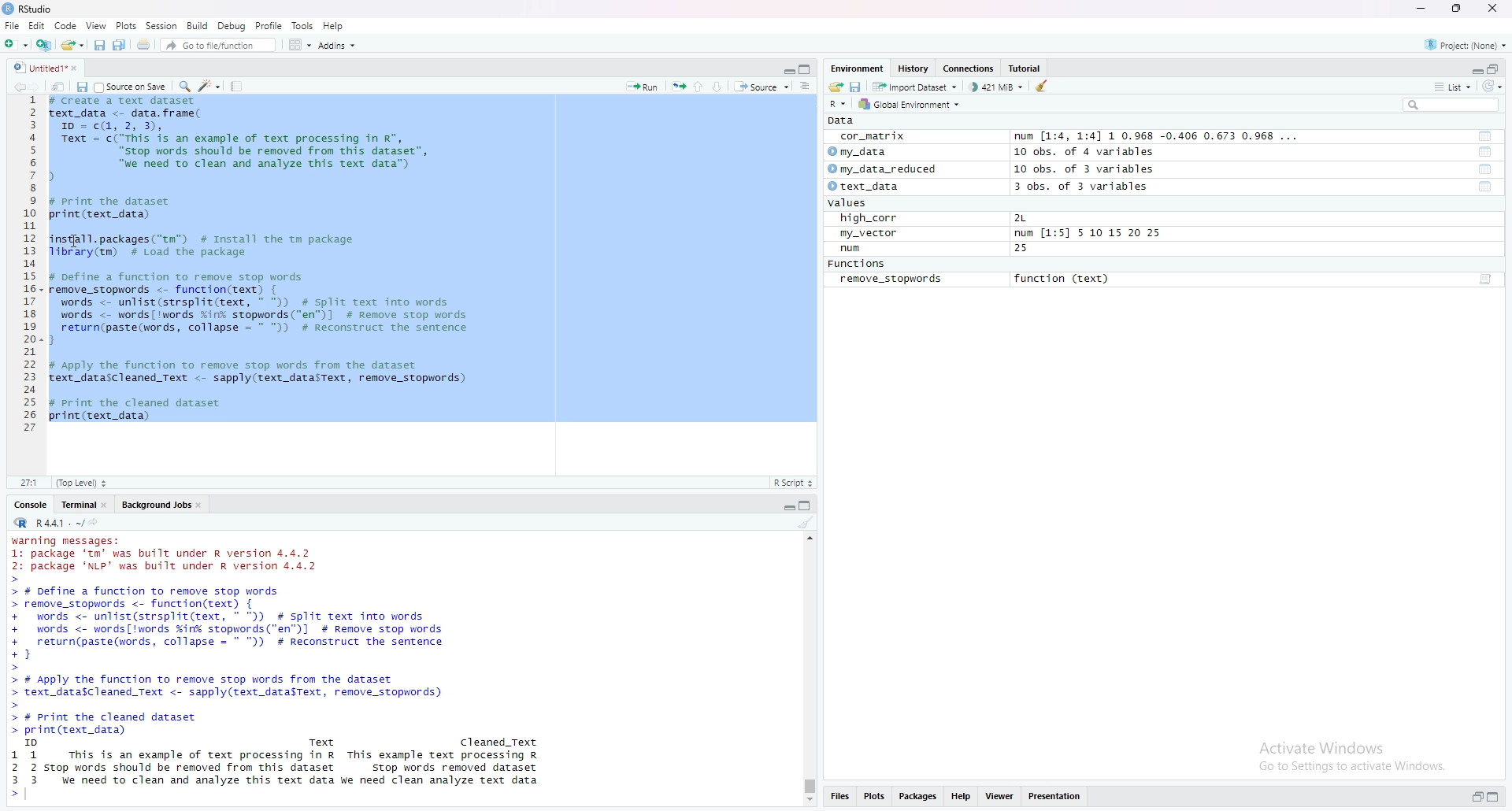  Describe the element at coordinates (857, 264) in the screenshot. I see `functions` at that location.